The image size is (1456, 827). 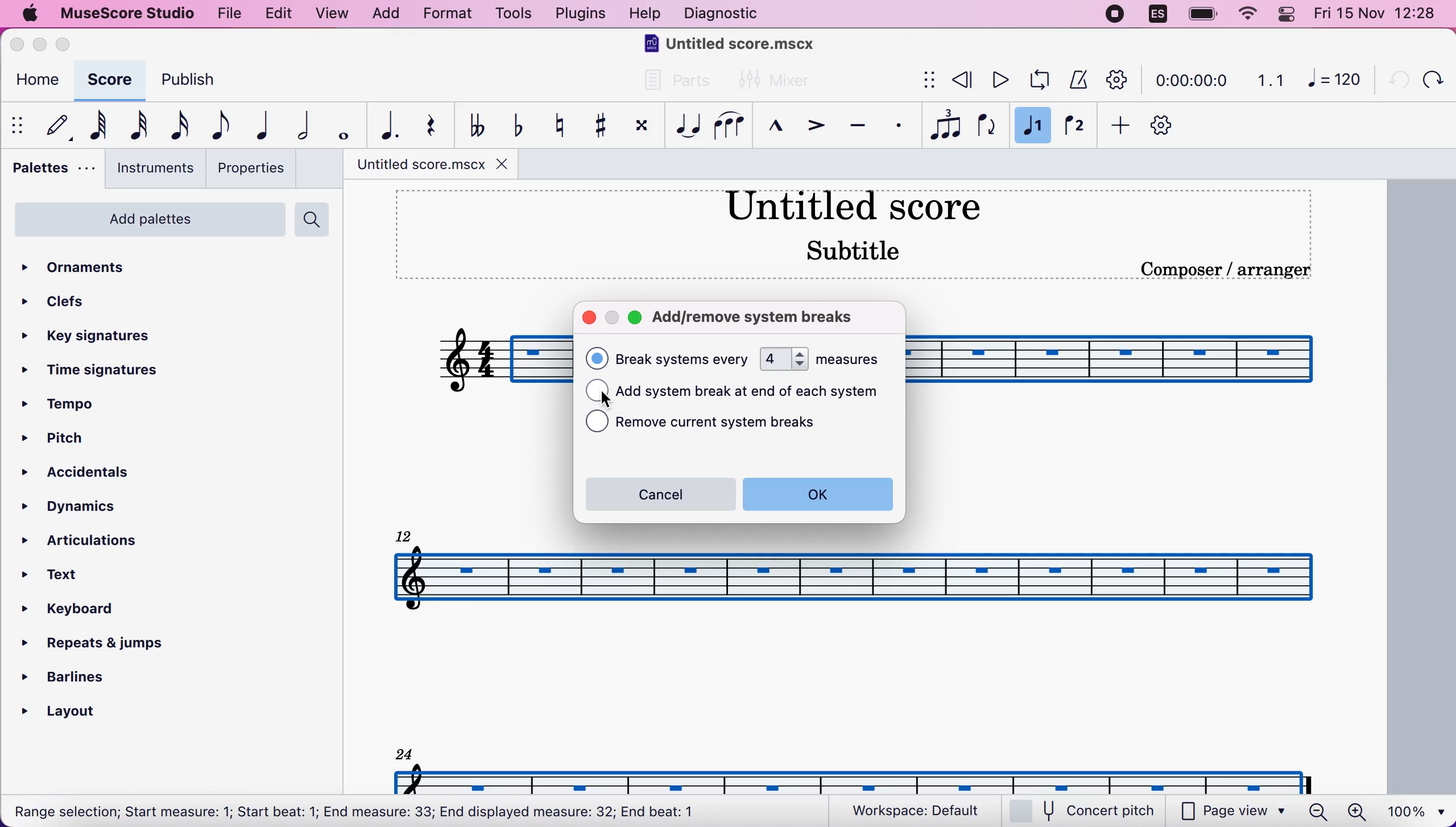 I want to click on checkbox, so click(x=597, y=421).